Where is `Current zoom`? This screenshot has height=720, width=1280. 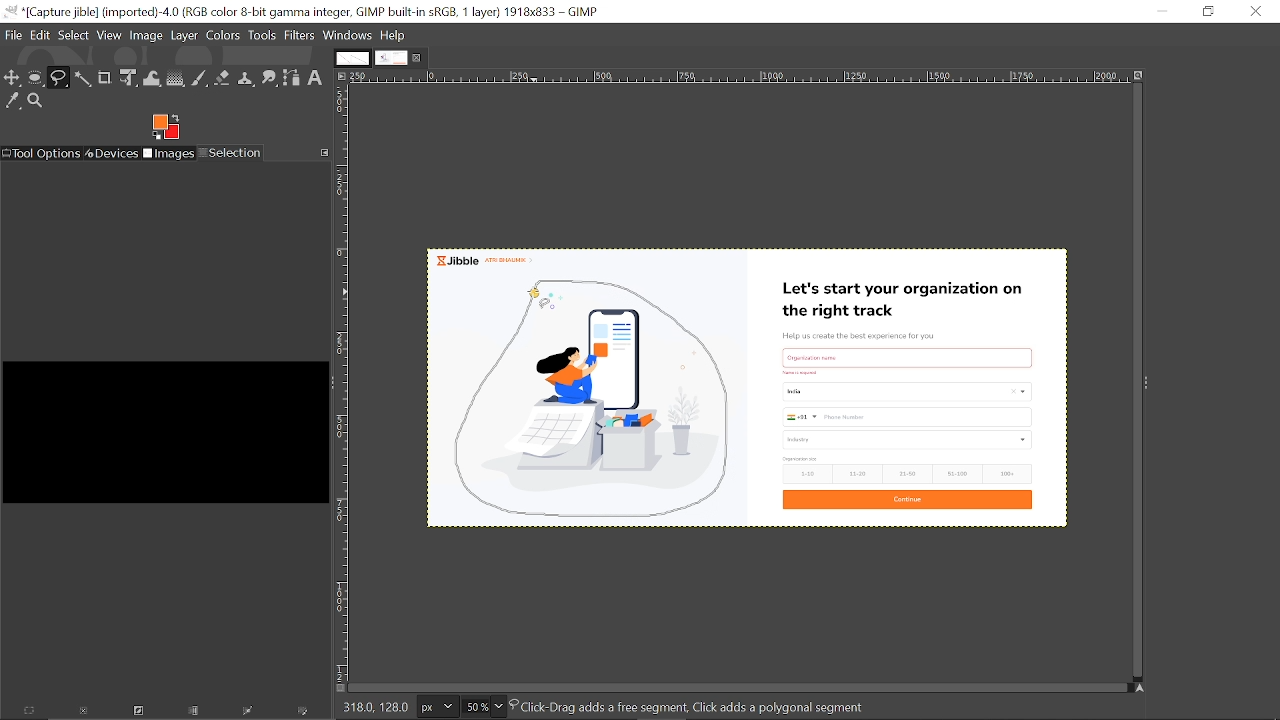
Current zoom is located at coordinates (474, 707).